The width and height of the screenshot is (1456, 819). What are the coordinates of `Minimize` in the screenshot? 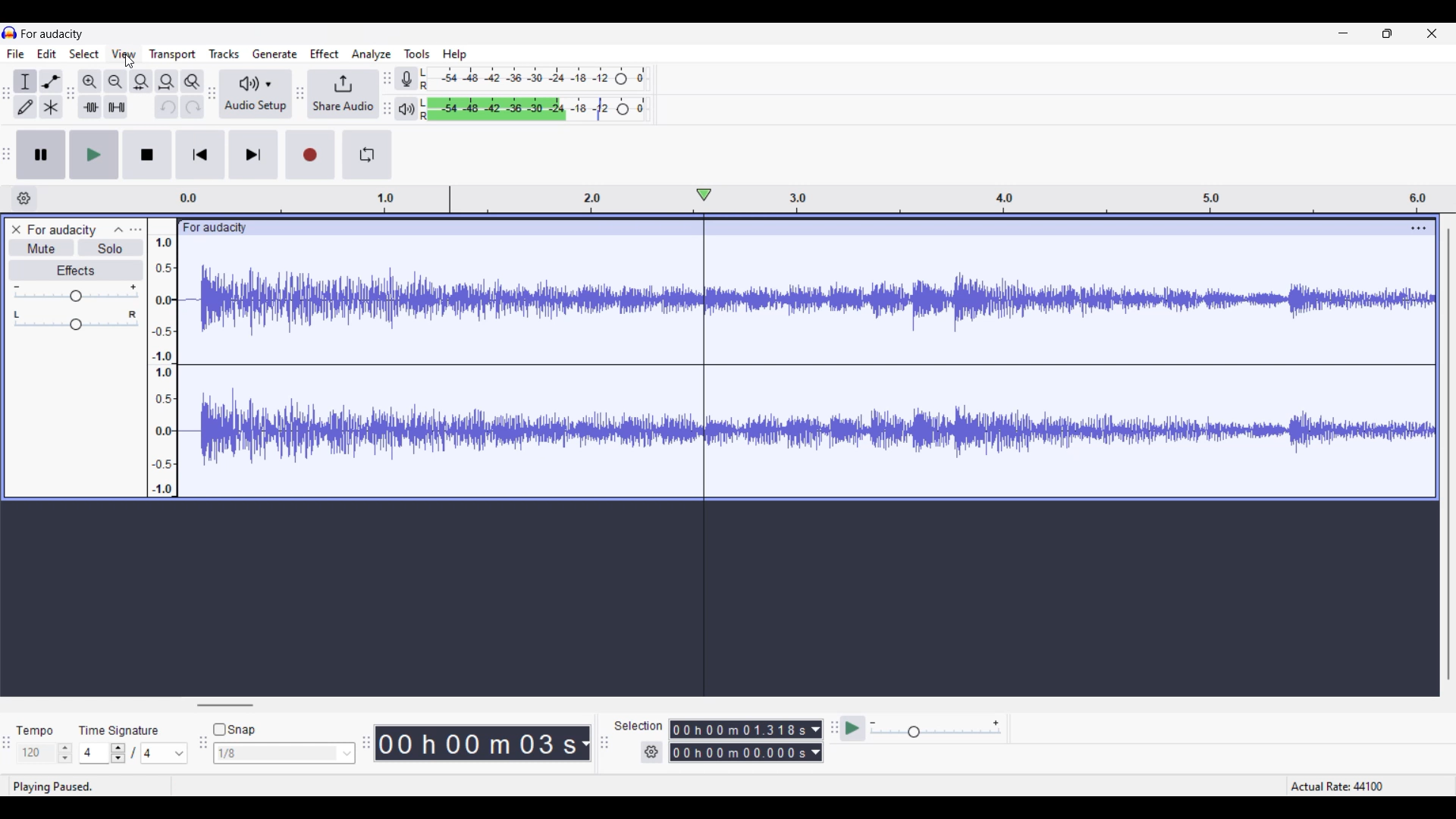 It's located at (1343, 33).